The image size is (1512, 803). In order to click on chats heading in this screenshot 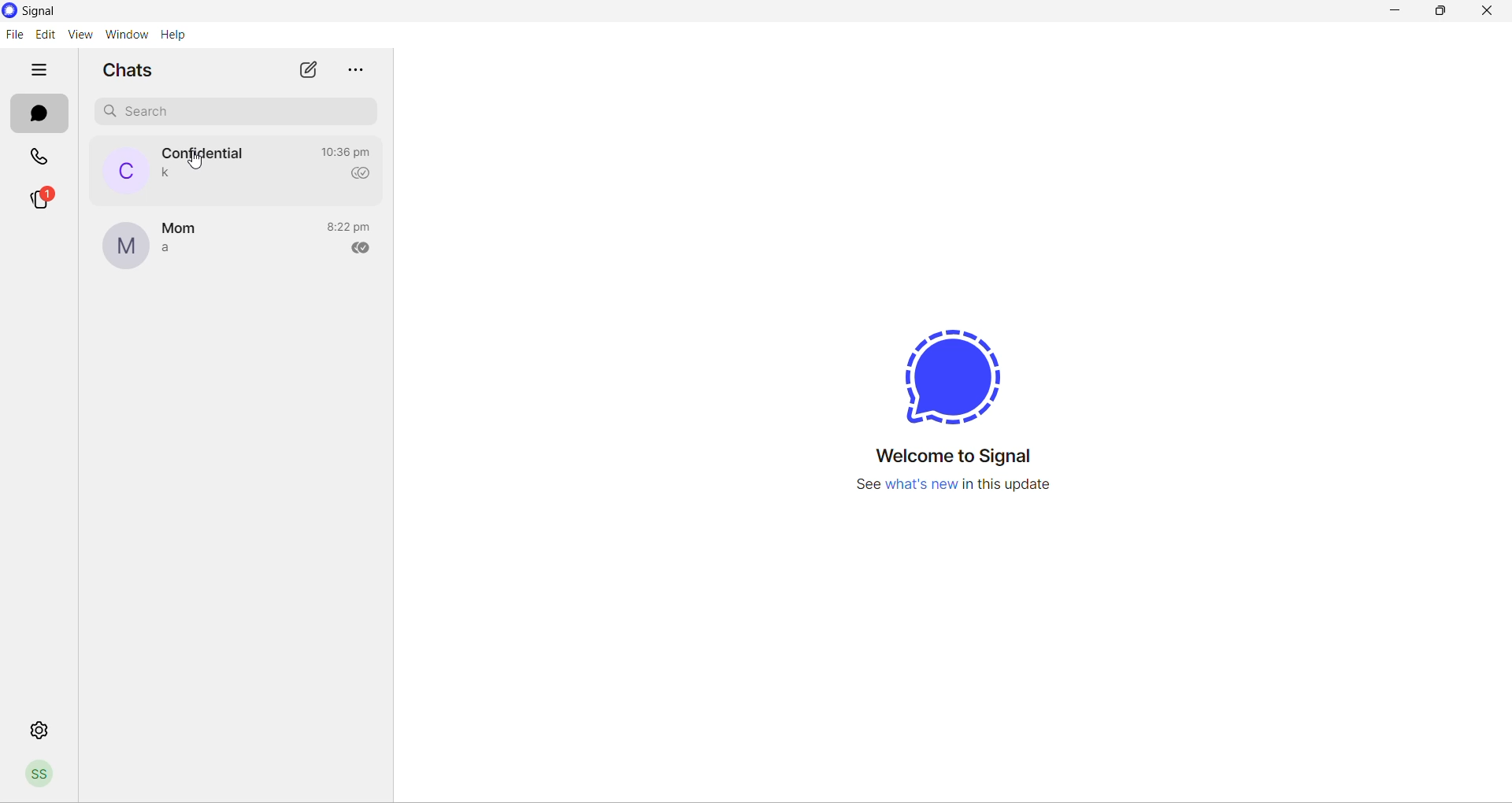, I will do `click(127, 70)`.